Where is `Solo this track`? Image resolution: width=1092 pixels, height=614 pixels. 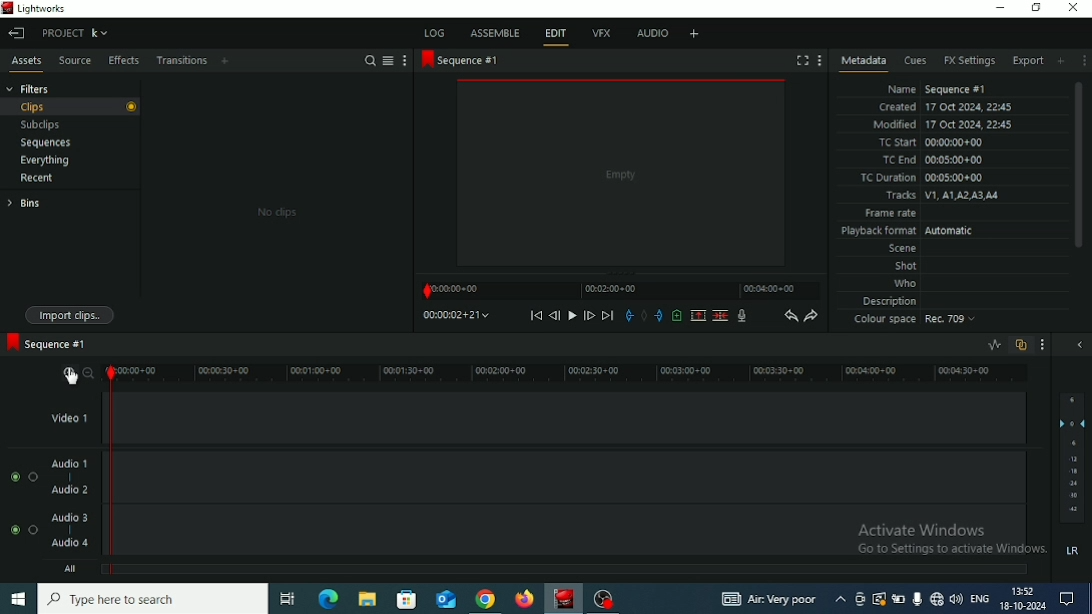 Solo this track is located at coordinates (33, 529).